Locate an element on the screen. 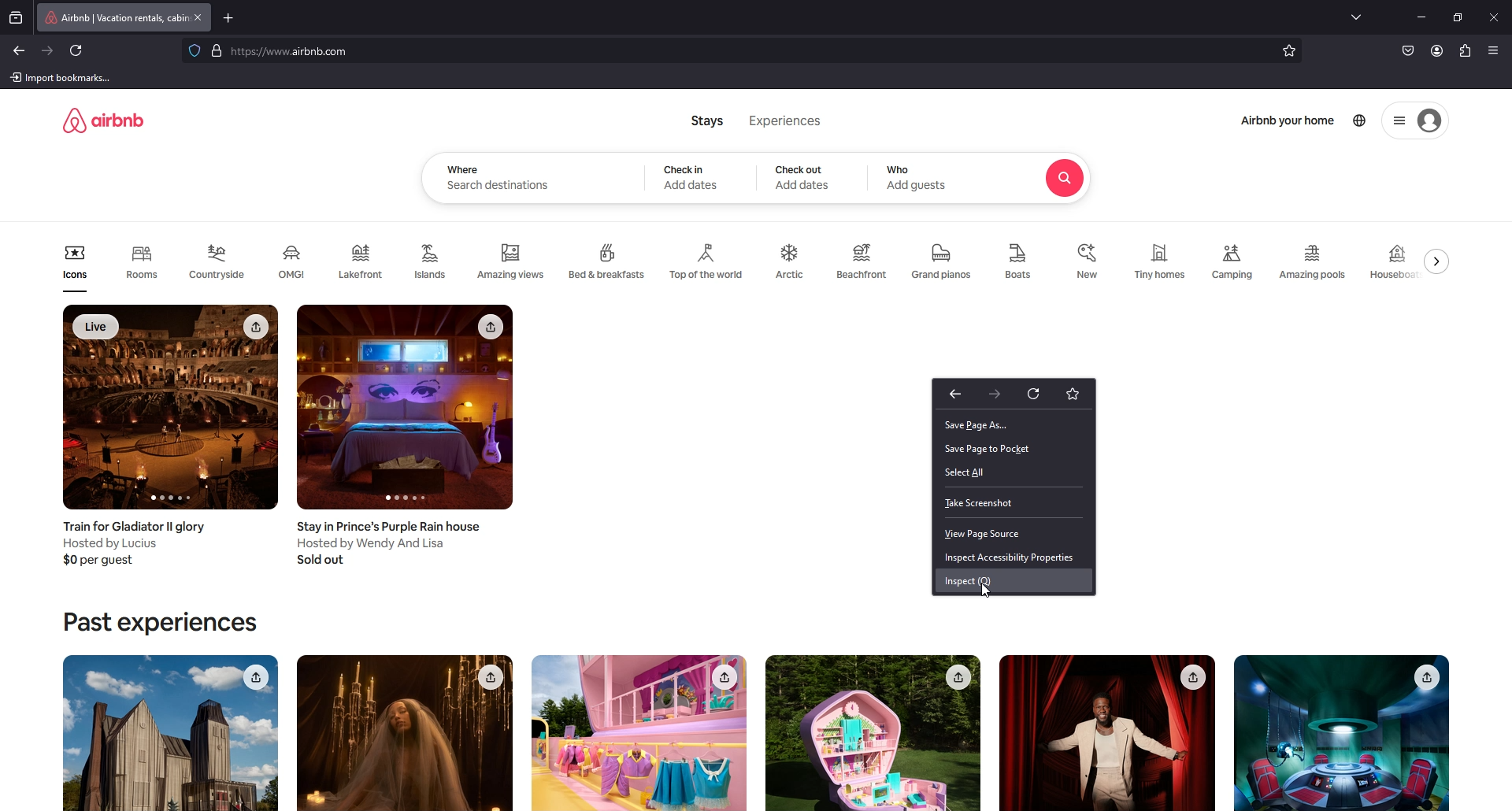 The width and height of the screenshot is (1512, 811). tiny homes is located at coordinates (1161, 262).